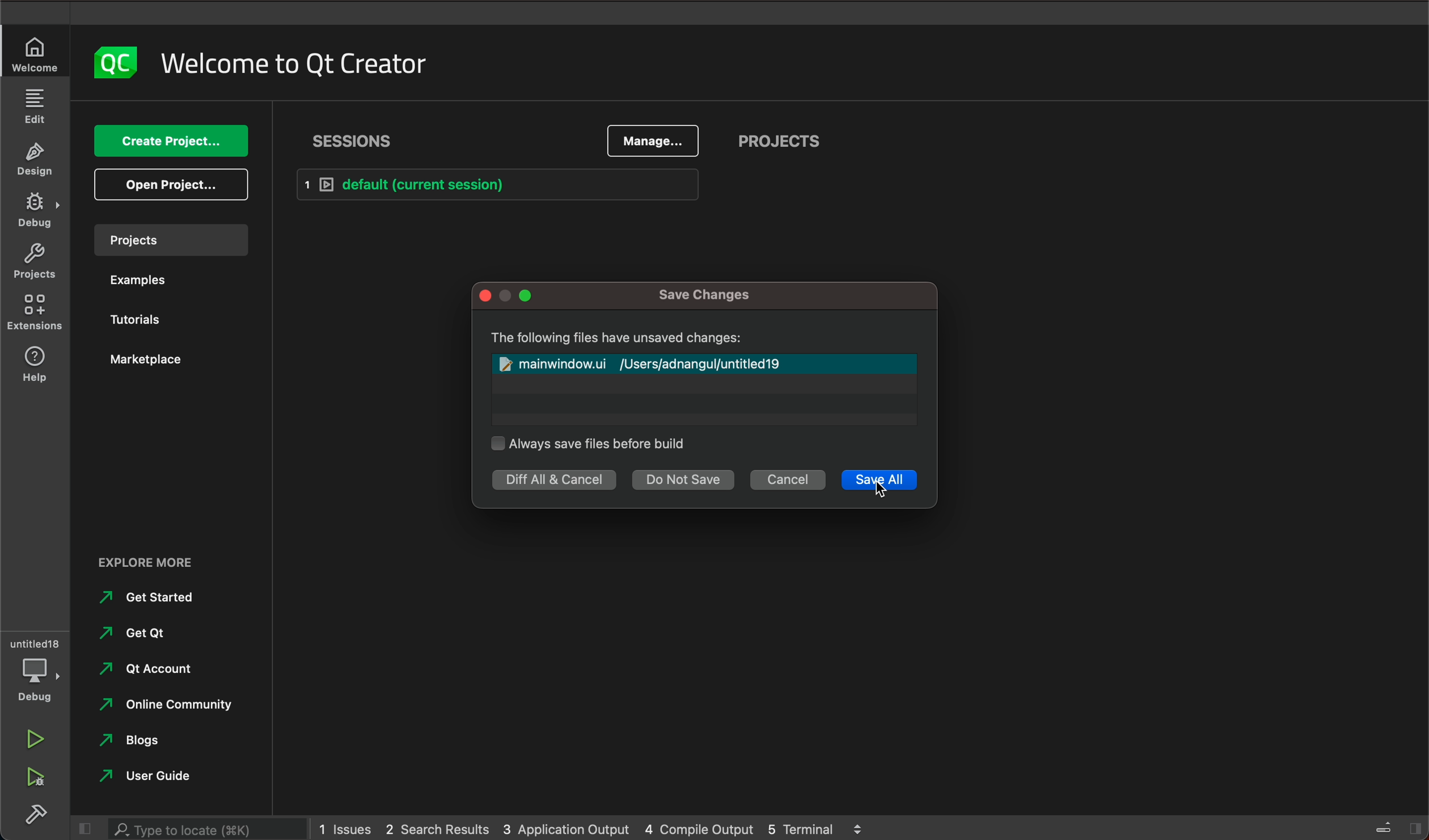 The image size is (1429, 840). I want to click on Qt Account, so click(154, 671).